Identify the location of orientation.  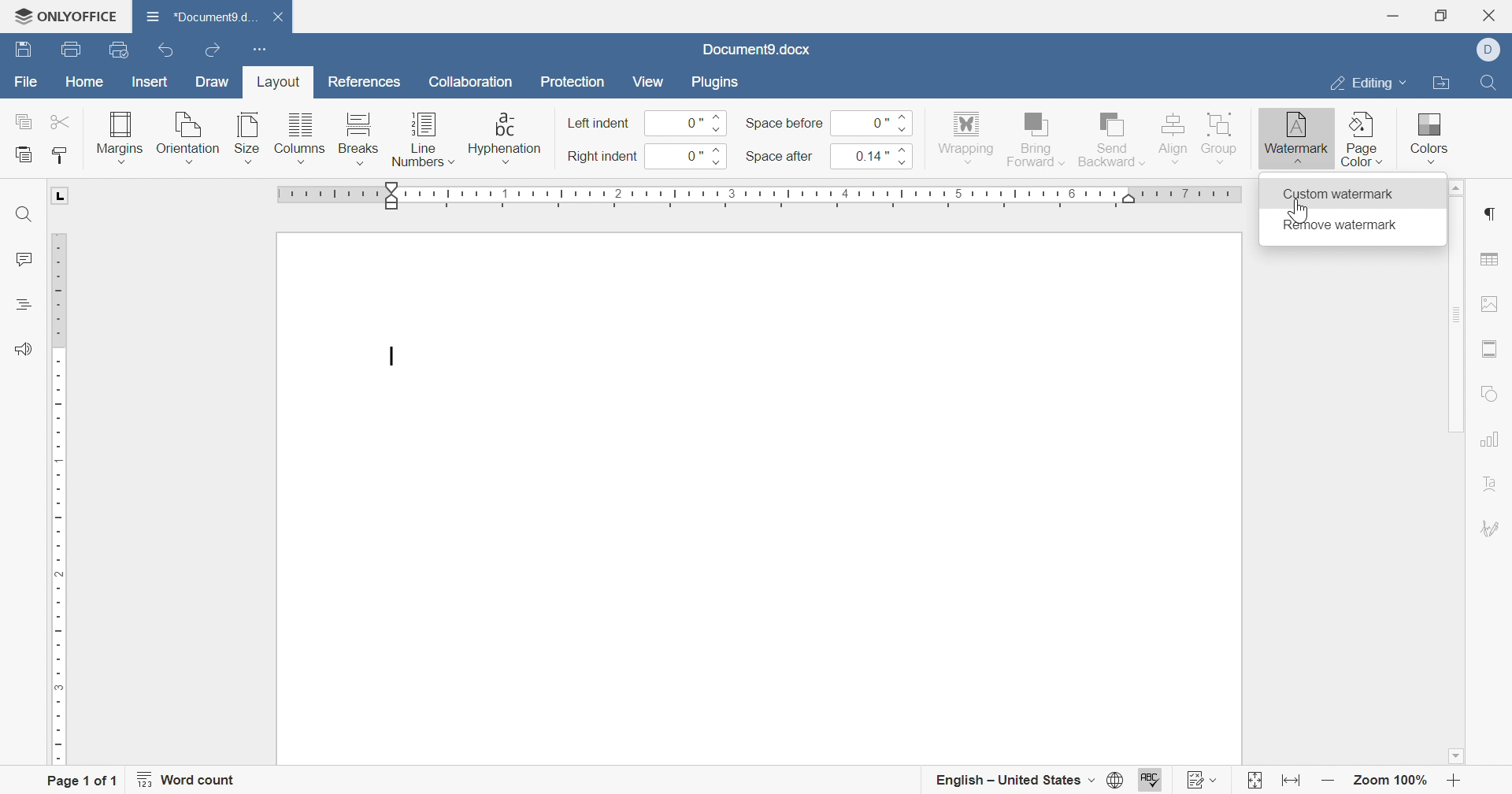
(187, 139).